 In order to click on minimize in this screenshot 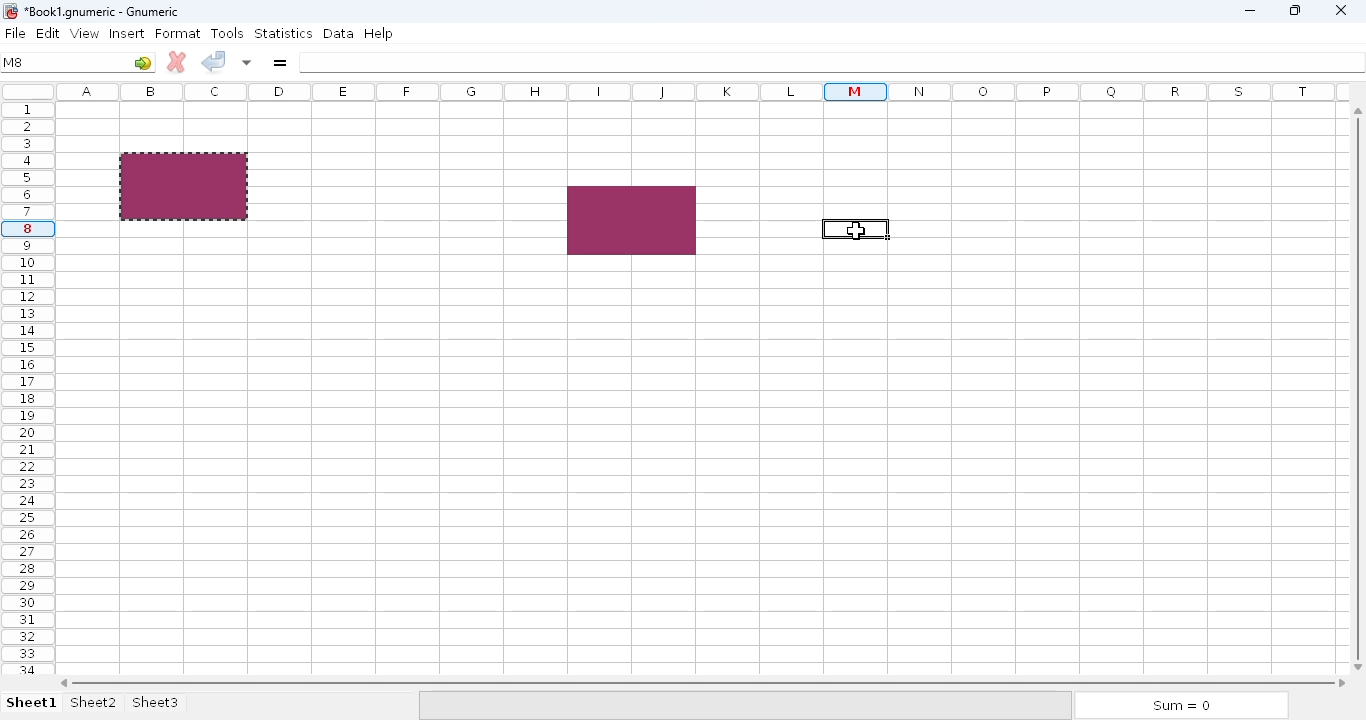, I will do `click(1250, 11)`.